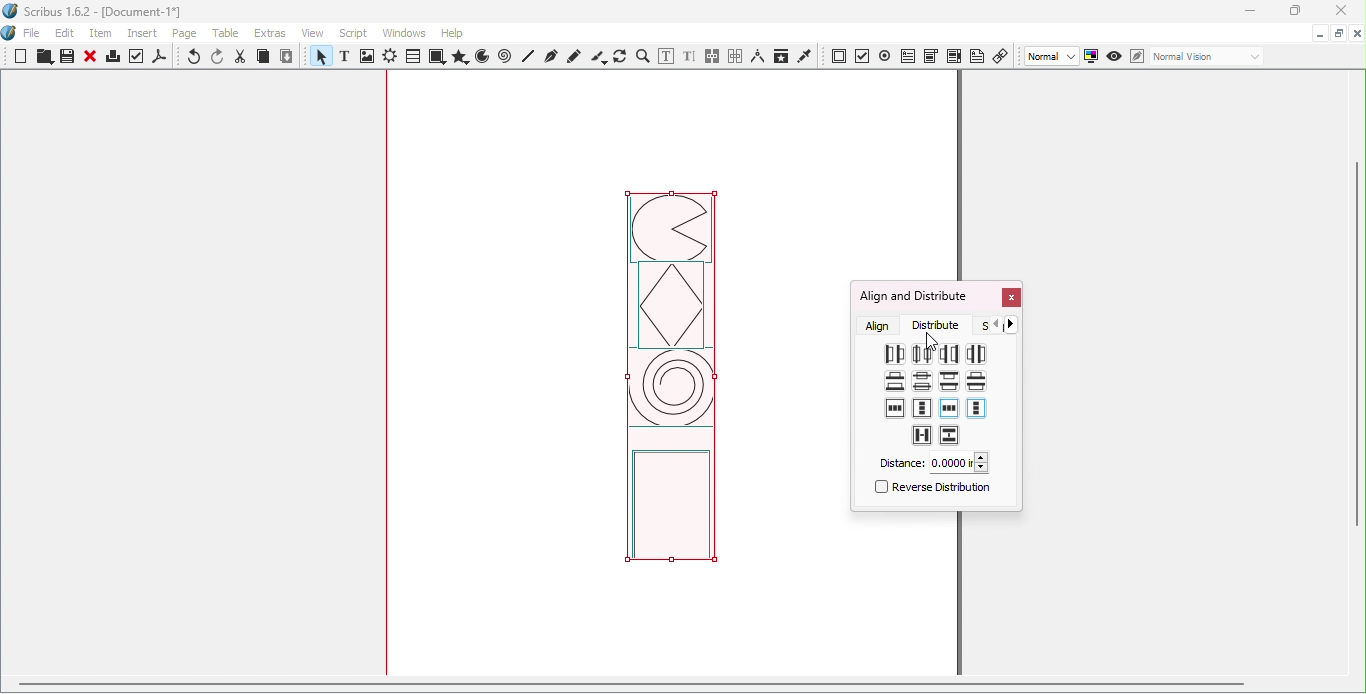  I want to click on Close document, so click(1357, 34).